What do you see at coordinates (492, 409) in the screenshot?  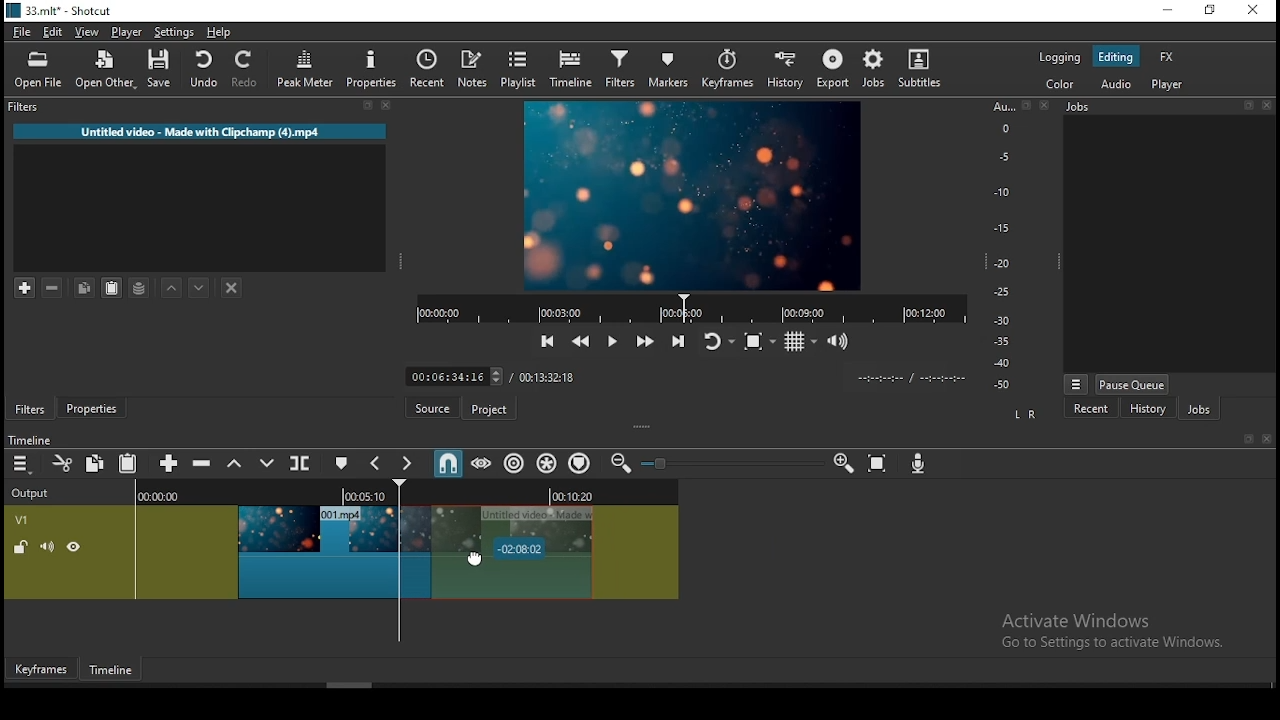 I see `Project` at bounding box center [492, 409].